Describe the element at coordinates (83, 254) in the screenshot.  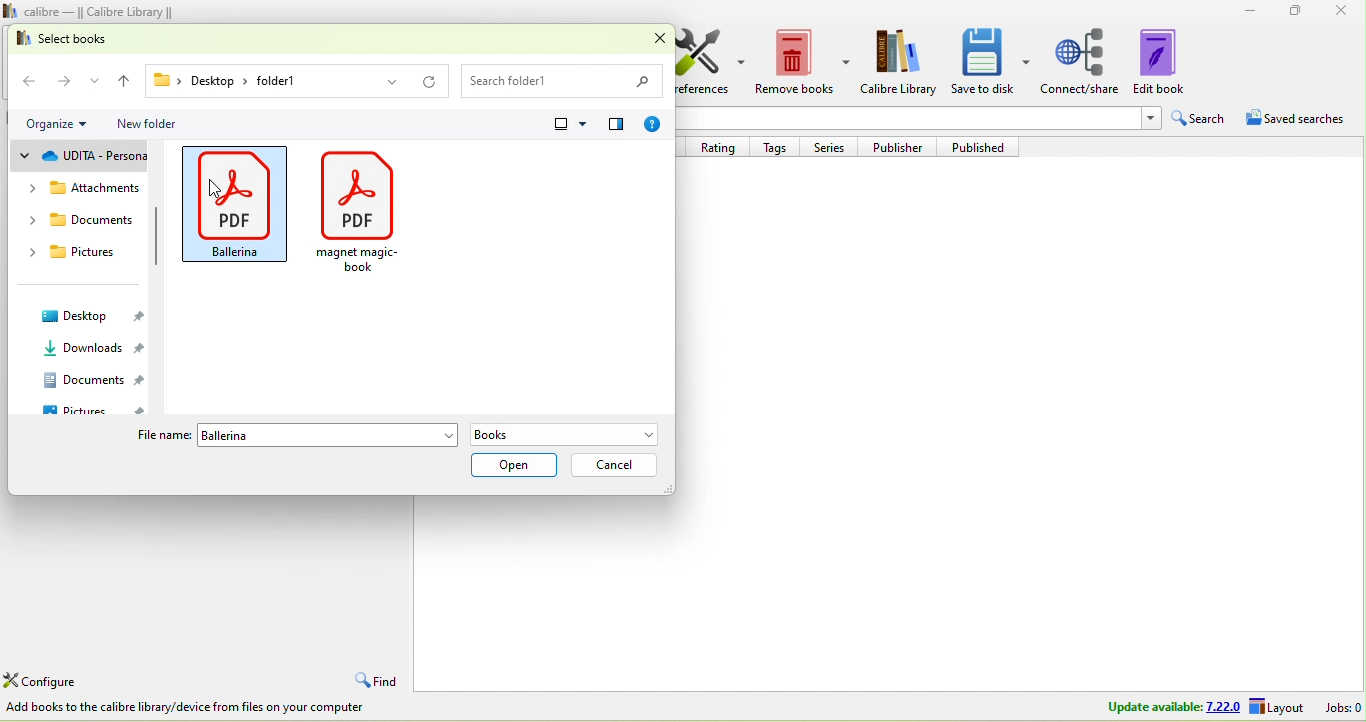
I see `pictures` at that location.